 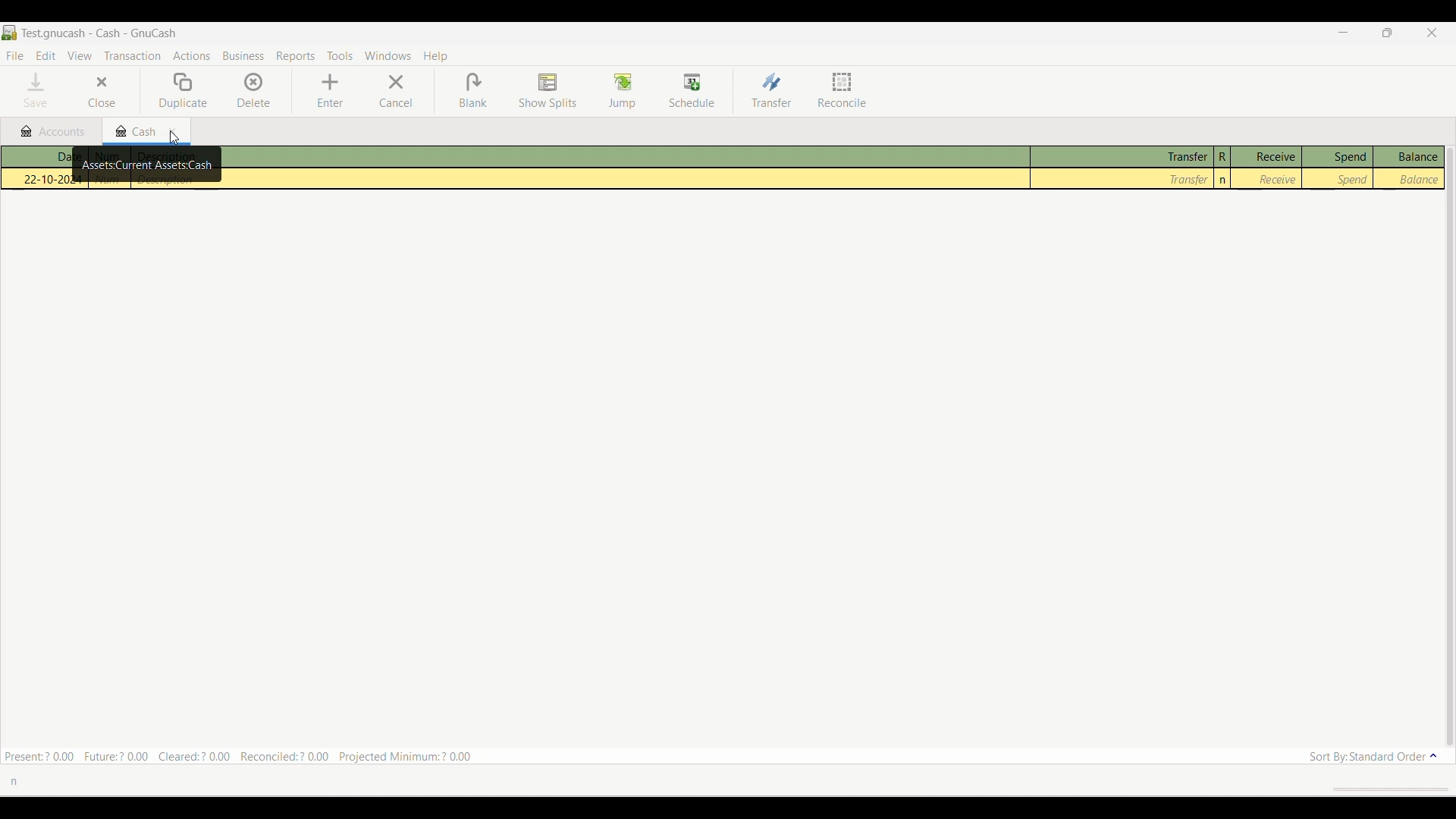 I want to click on Windows, so click(x=388, y=55).